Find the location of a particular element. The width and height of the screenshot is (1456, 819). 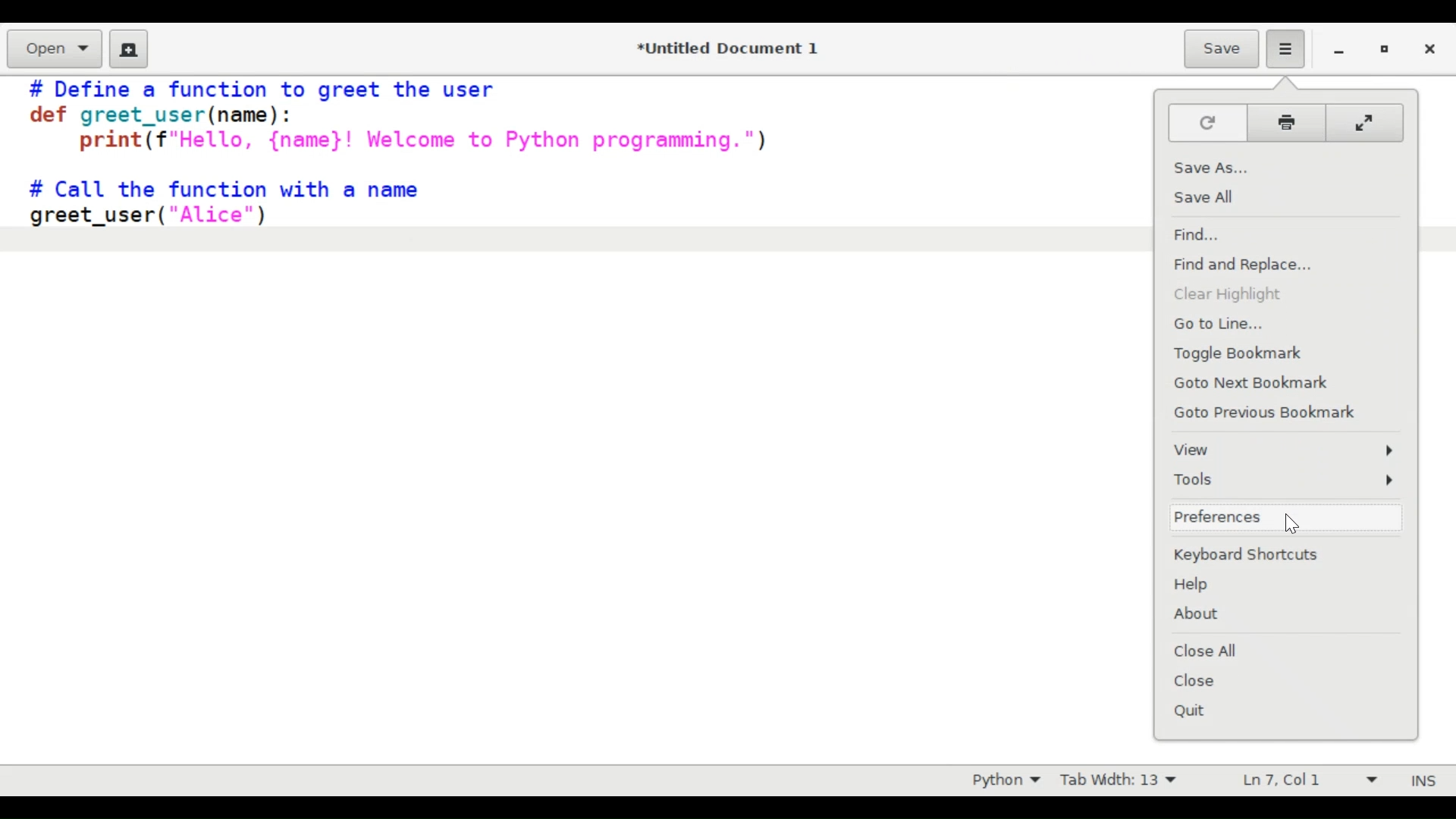

Quit is located at coordinates (1262, 710).